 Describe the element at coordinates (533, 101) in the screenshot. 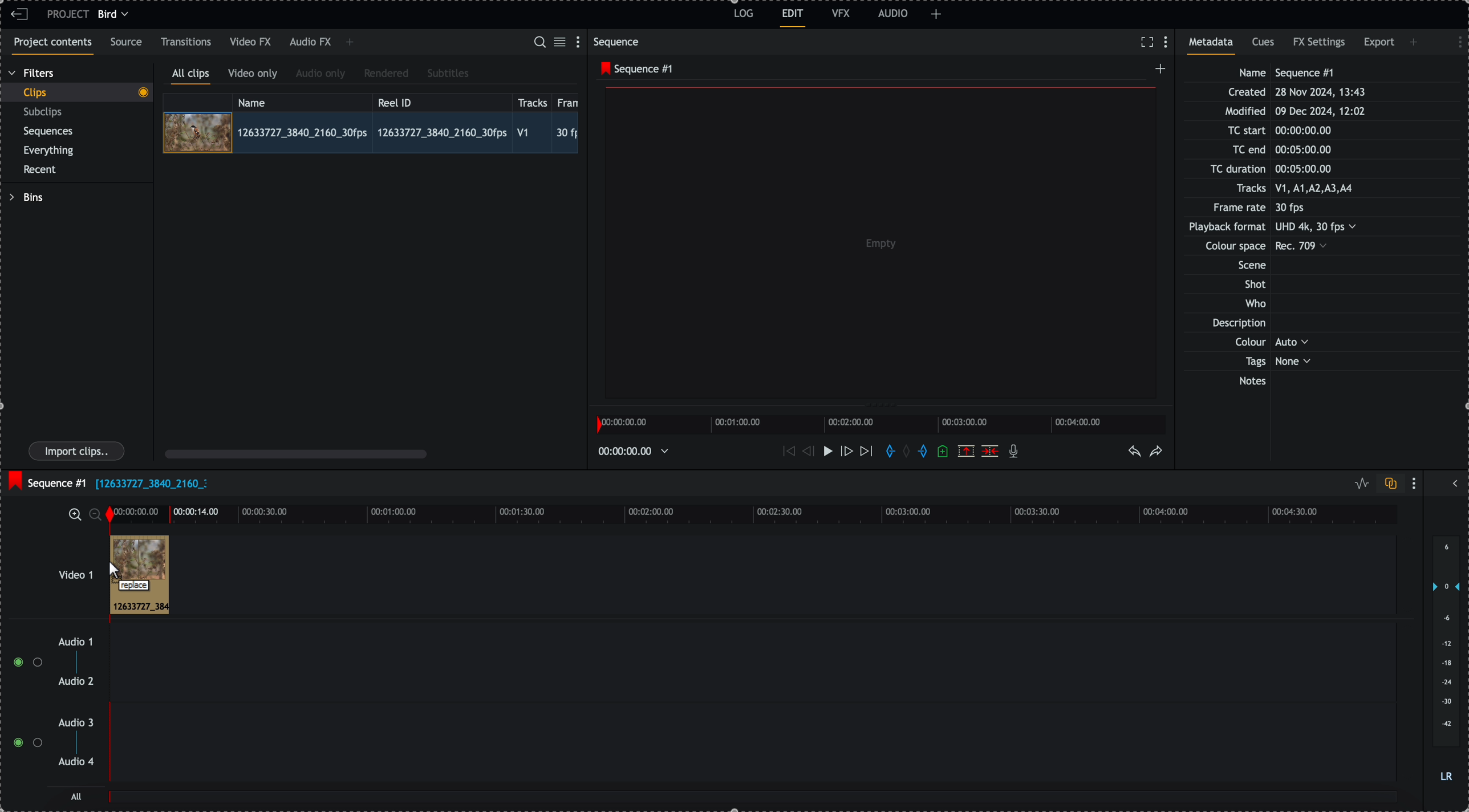

I see `tracks` at that location.